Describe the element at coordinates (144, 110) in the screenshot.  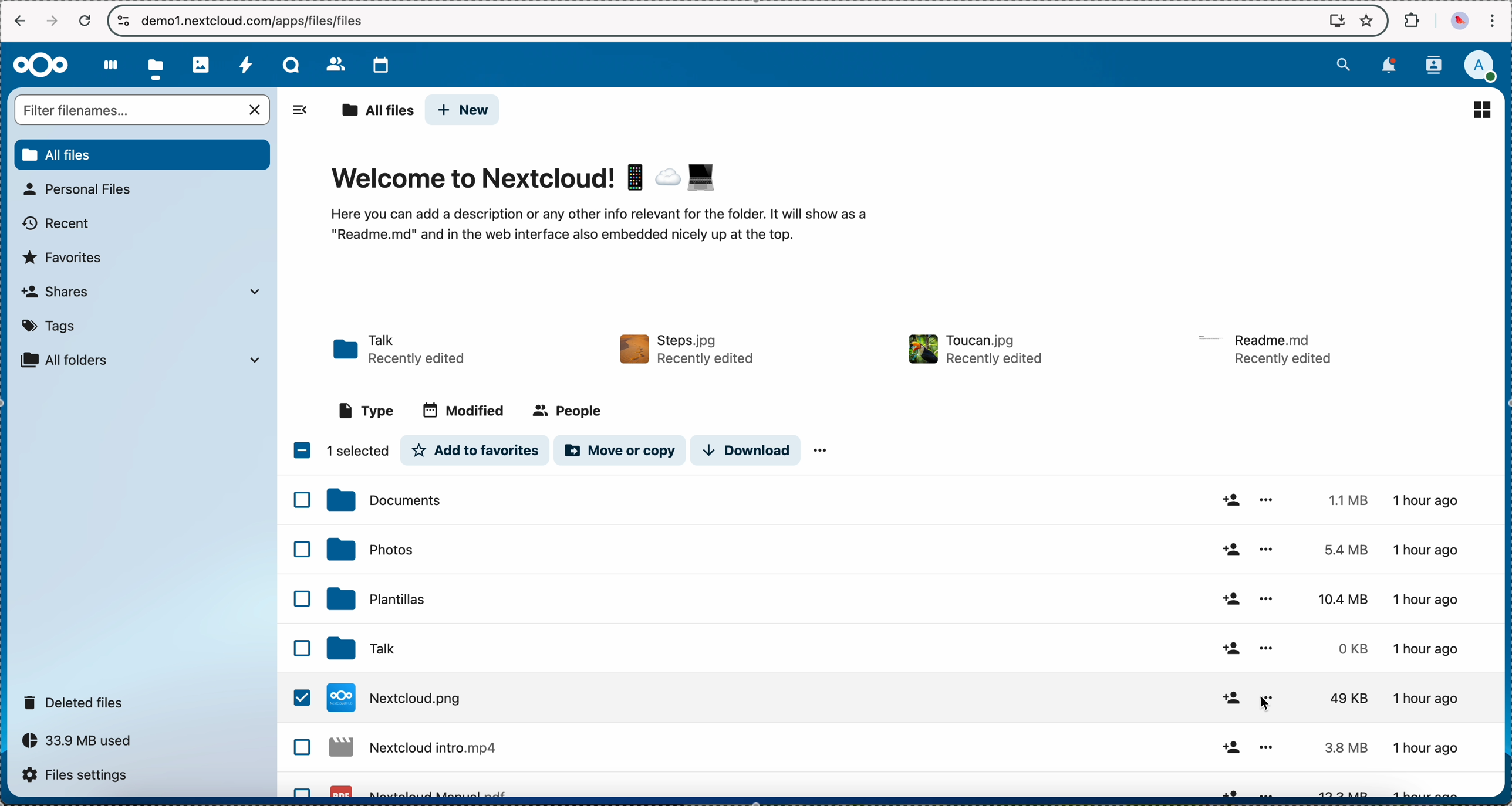
I see `search bar` at that location.